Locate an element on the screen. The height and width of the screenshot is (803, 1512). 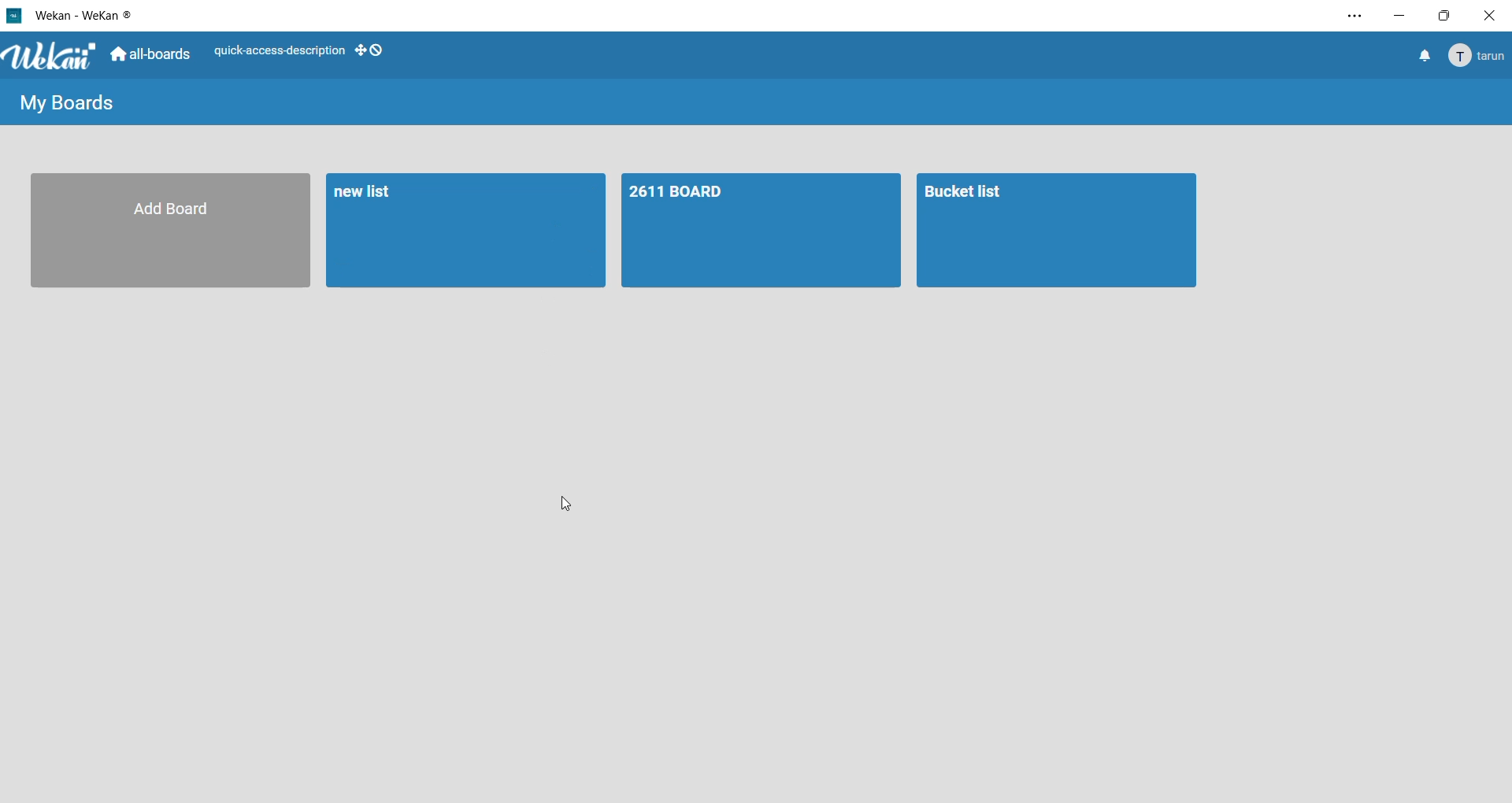
board 3 is located at coordinates (458, 231).